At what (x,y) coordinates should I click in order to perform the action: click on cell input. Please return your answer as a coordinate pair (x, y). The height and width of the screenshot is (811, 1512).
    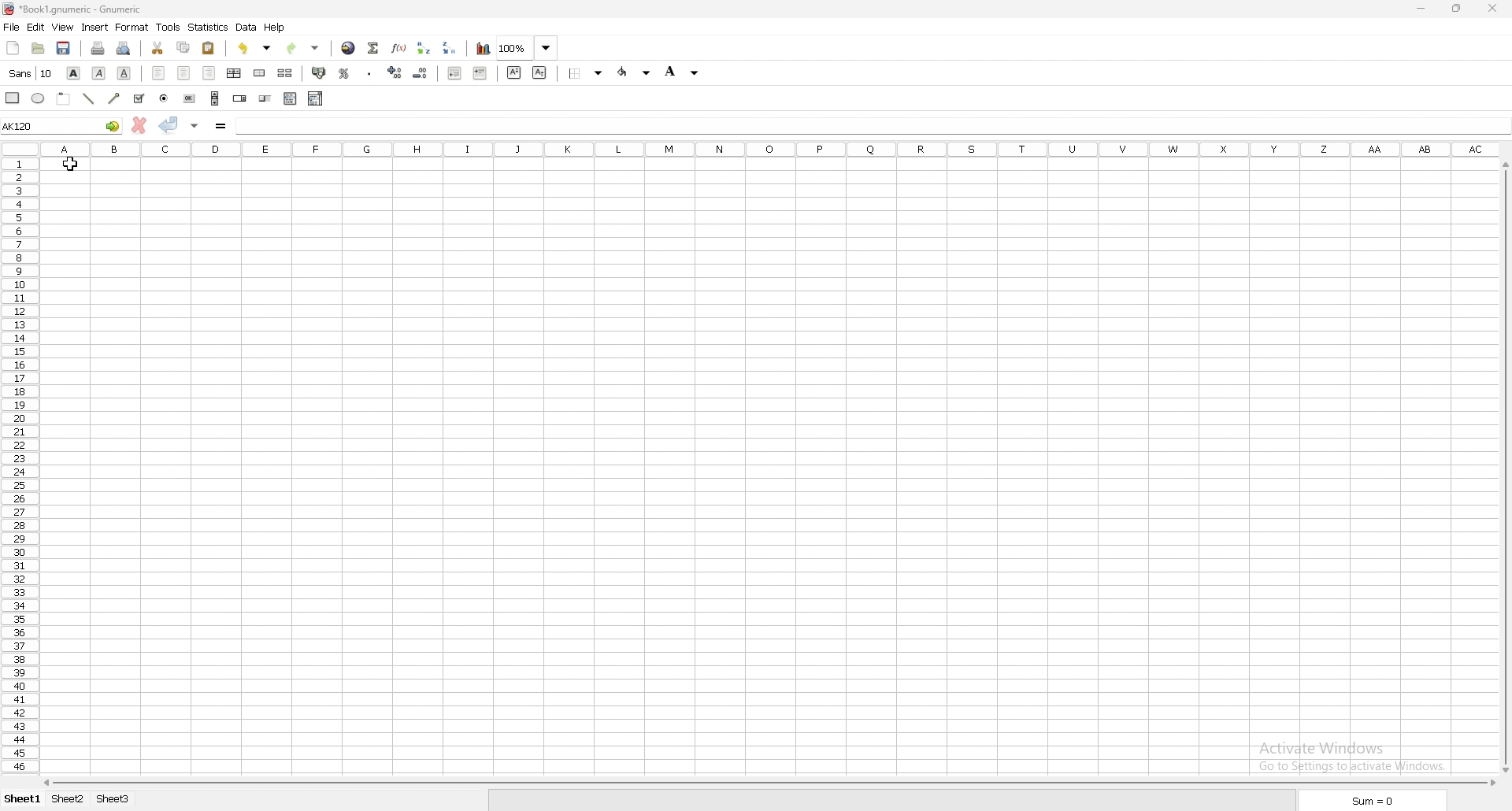
    Looking at the image, I should click on (872, 124).